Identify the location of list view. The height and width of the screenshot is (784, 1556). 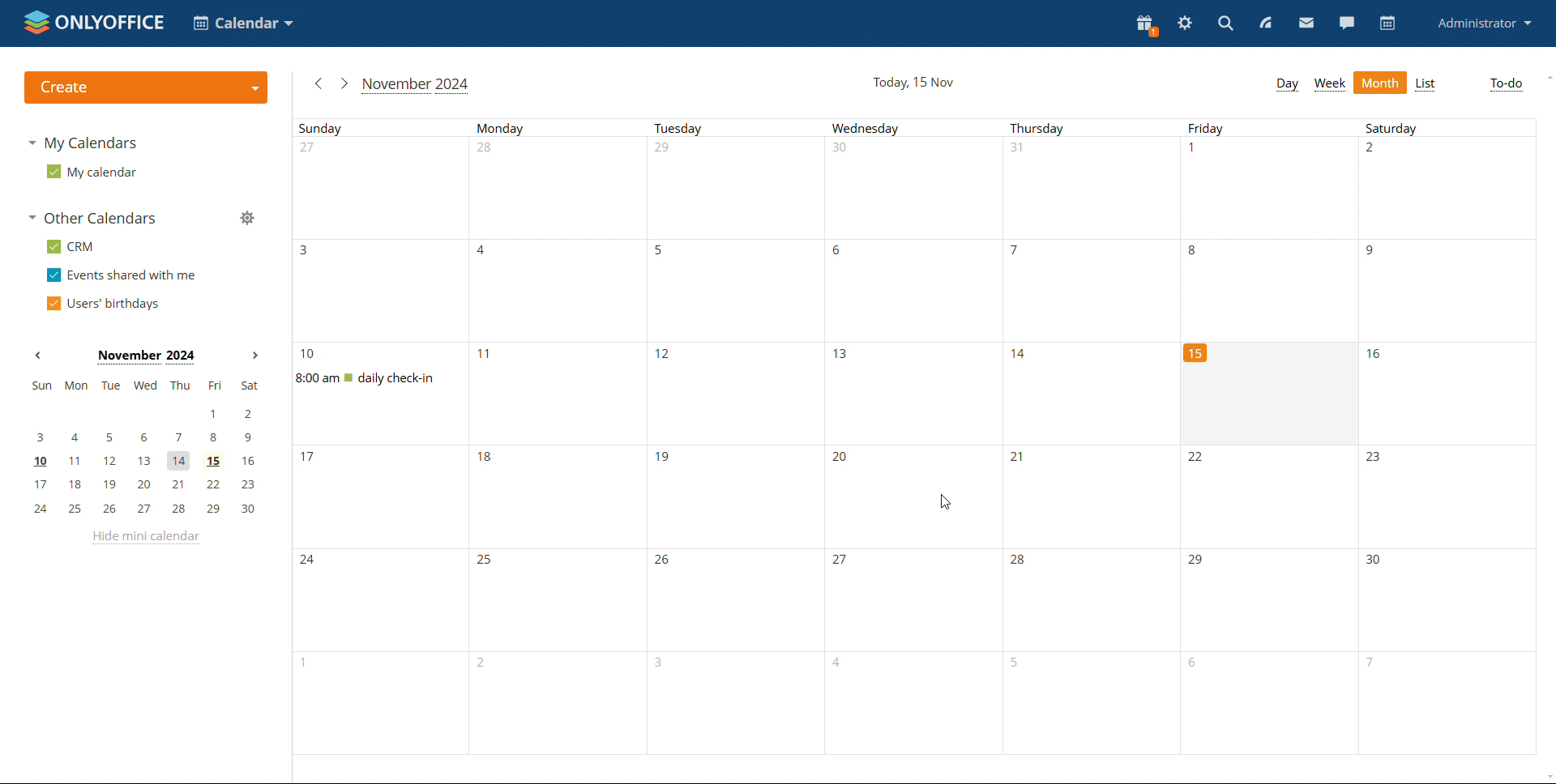
(1425, 84).